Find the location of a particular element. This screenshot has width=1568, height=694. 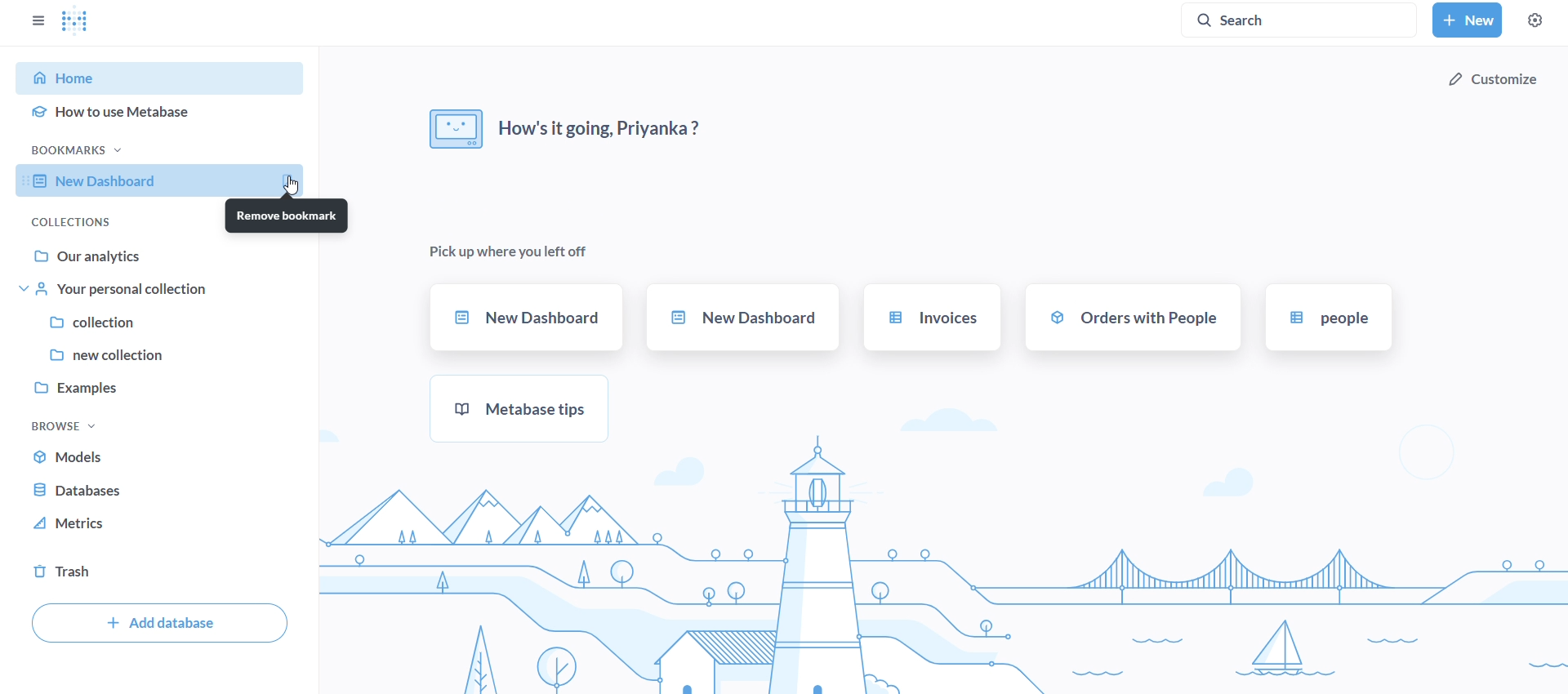

examples is located at coordinates (165, 385).